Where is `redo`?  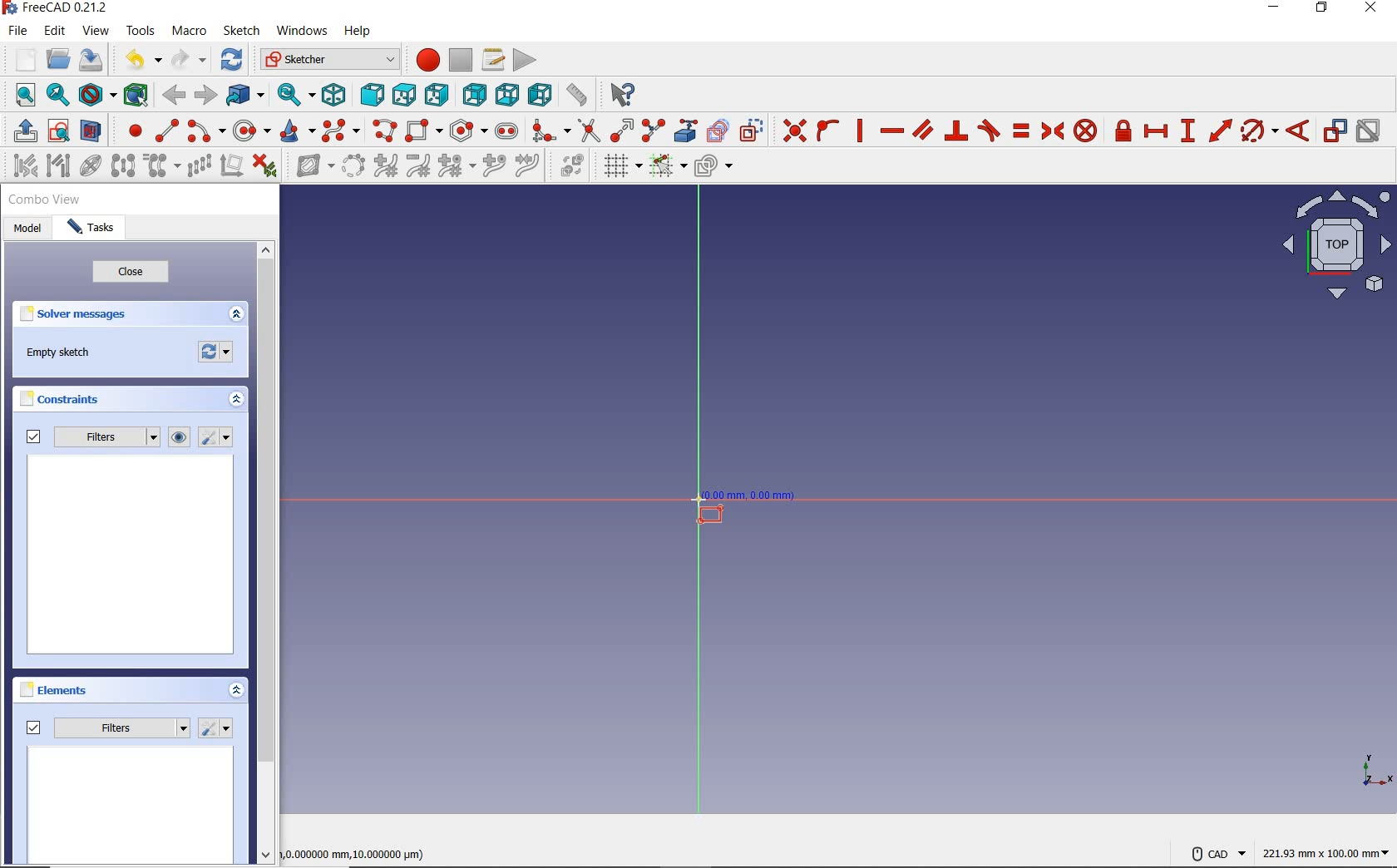 redo is located at coordinates (189, 60).